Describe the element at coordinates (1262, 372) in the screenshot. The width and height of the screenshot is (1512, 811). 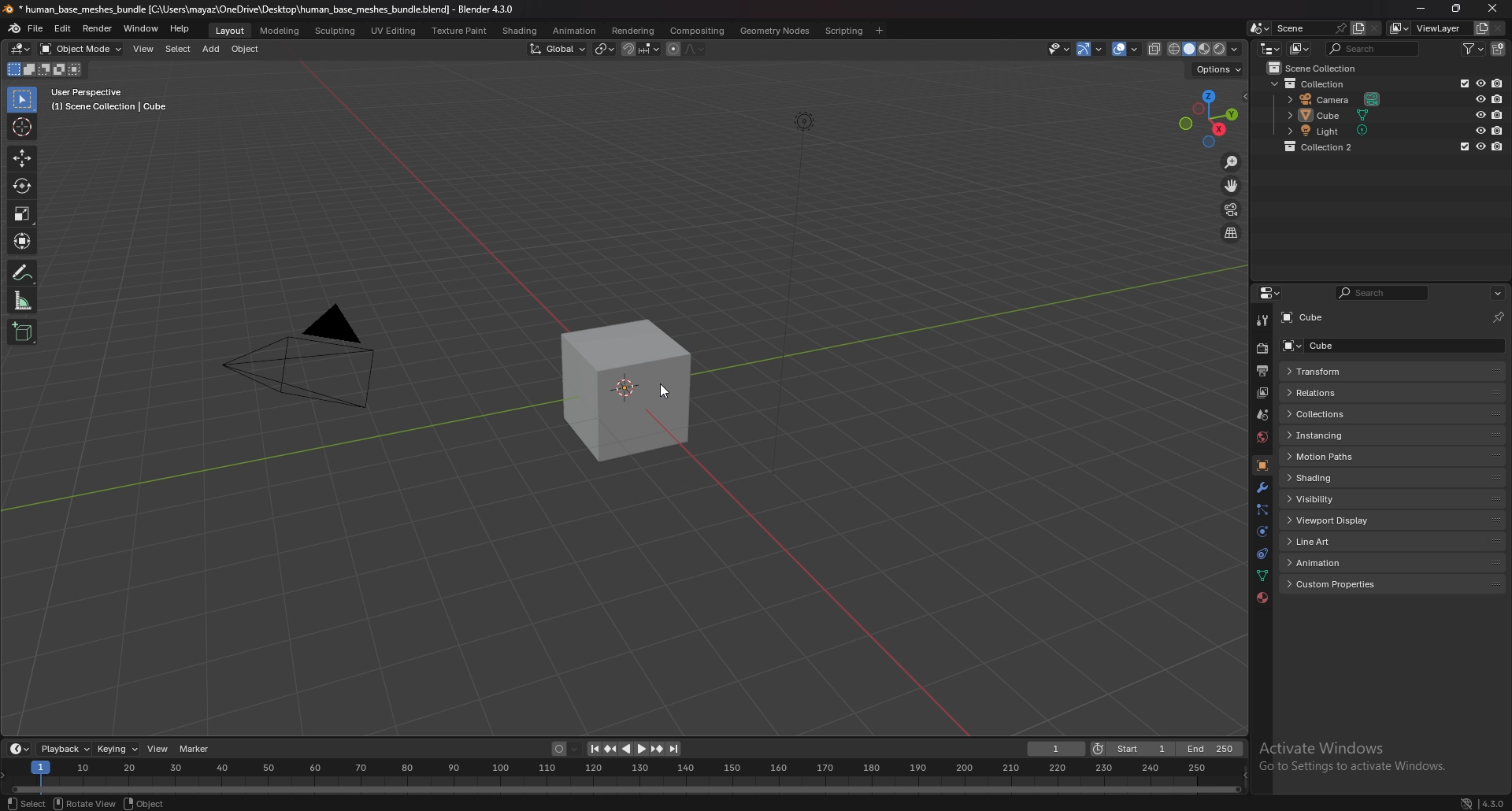
I see `output` at that location.